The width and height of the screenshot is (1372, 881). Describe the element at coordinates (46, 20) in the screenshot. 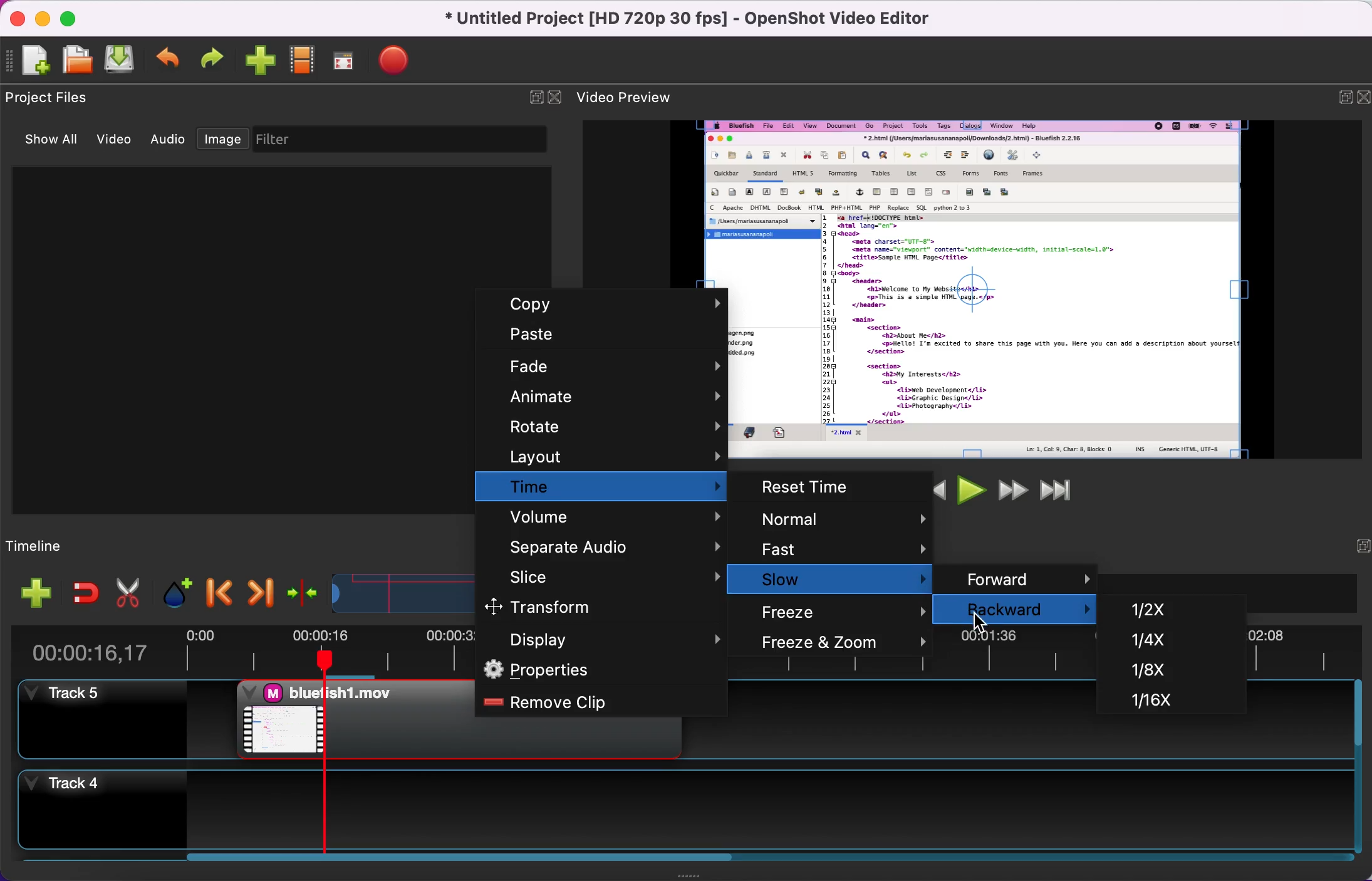

I see `minimize` at that location.